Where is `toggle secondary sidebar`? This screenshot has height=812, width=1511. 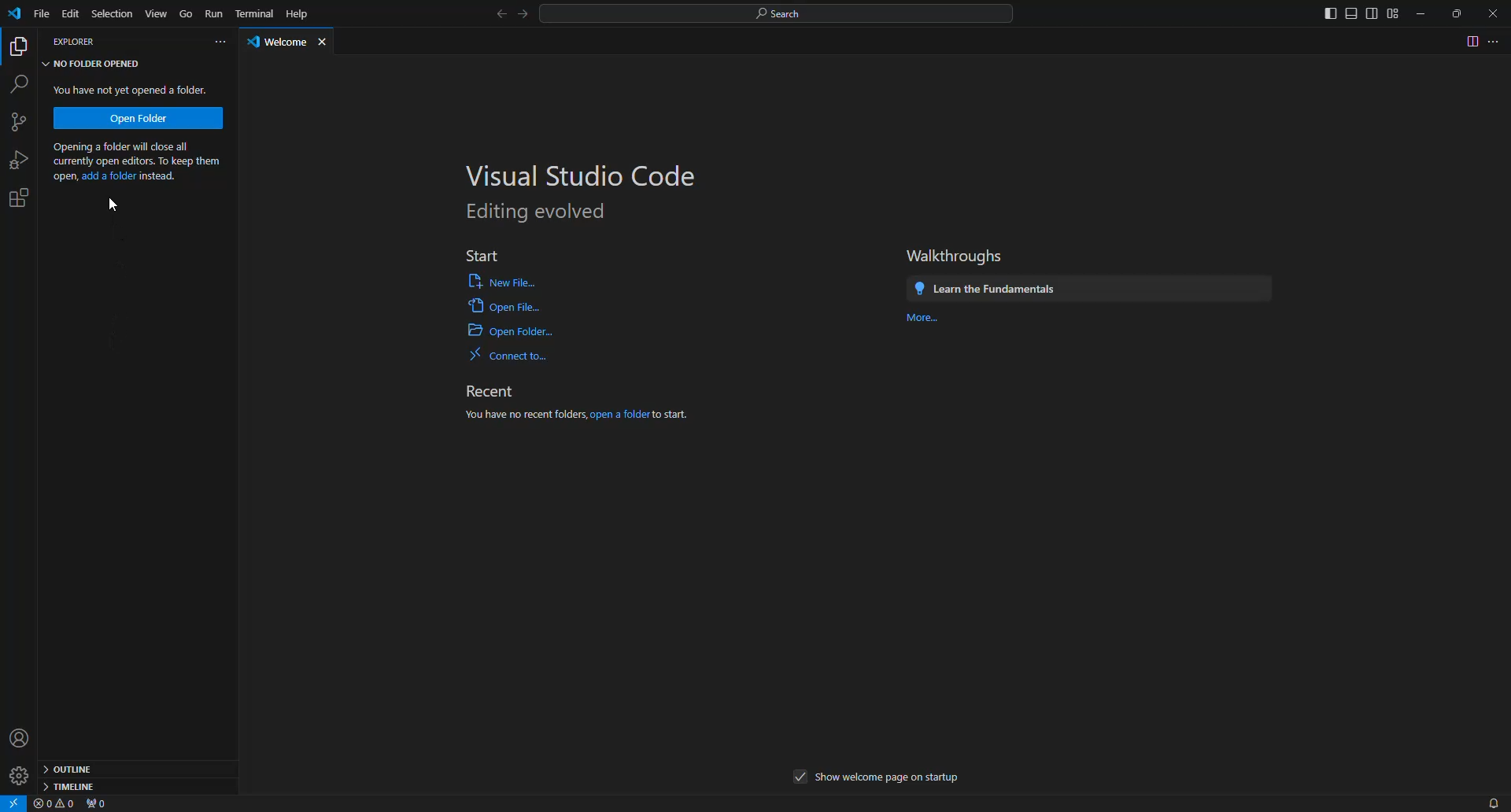
toggle secondary sidebar is located at coordinates (1372, 14).